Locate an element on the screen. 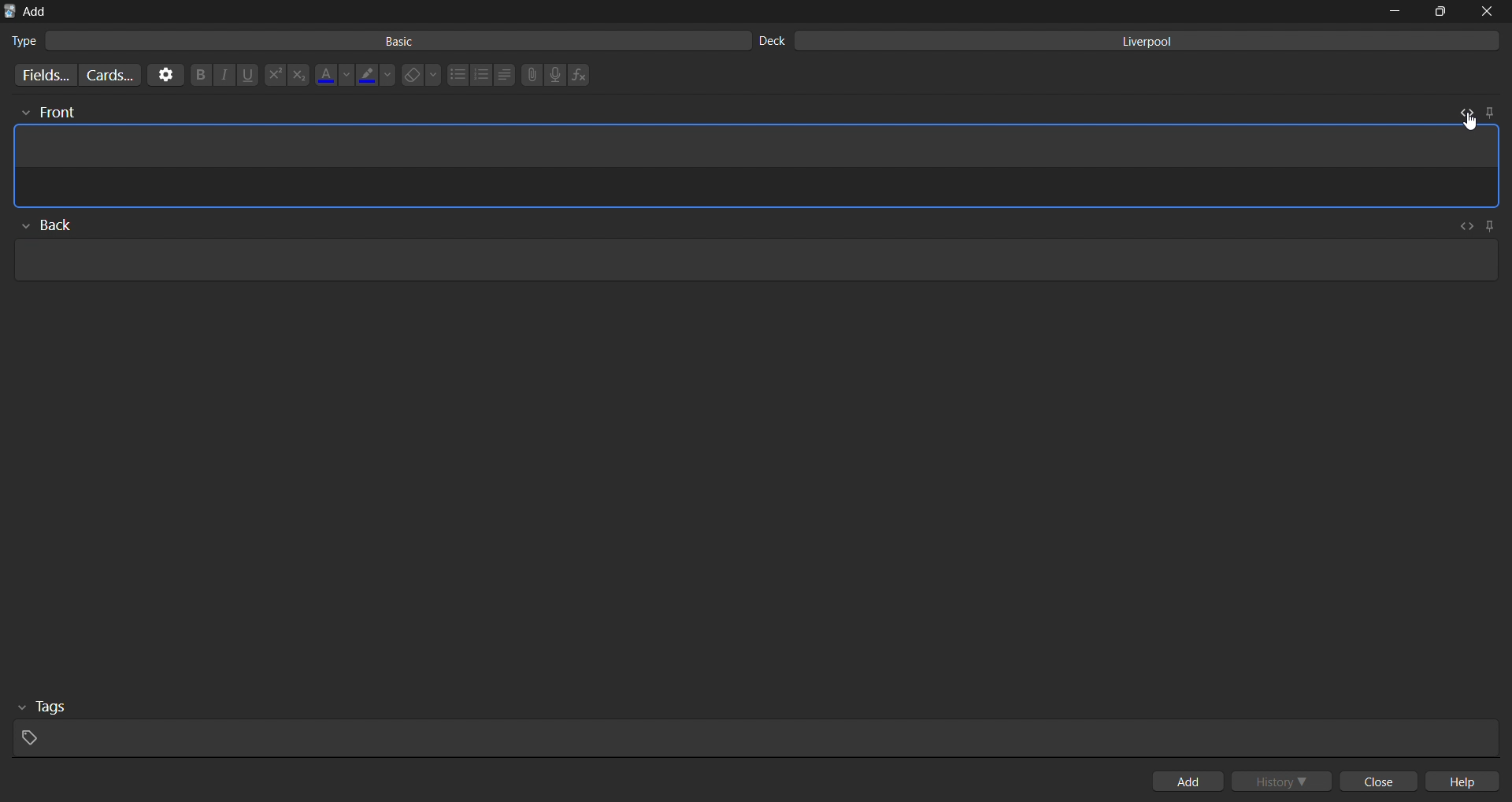 This screenshot has width=1512, height=802. minimize is located at coordinates (1393, 11).